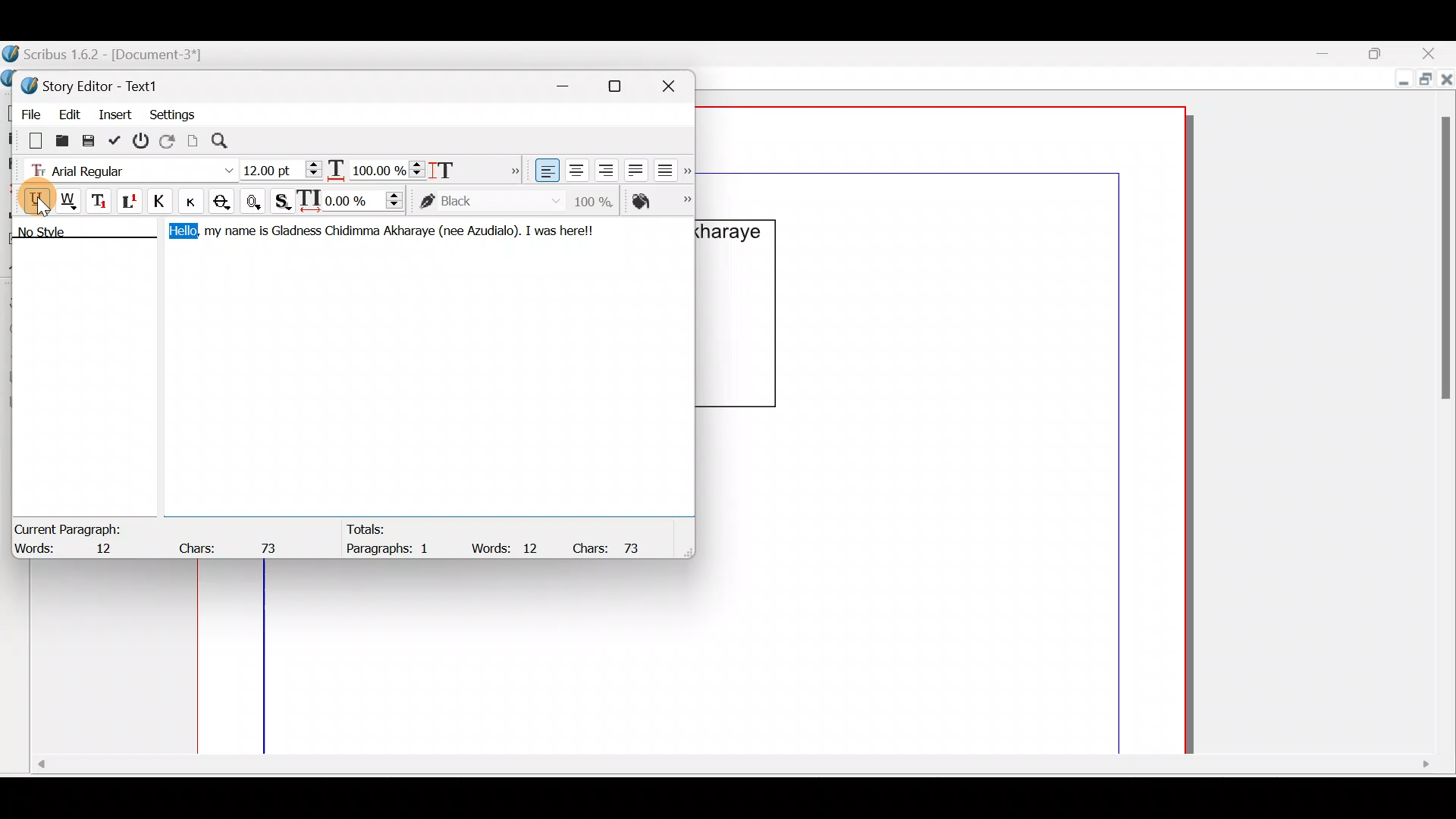 Image resolution: width=1456 pixels, height=819 pixels. Describe the element at coordinates (599, 199) in the screenshot. I see `Saturation of color of text stroke` at that location.